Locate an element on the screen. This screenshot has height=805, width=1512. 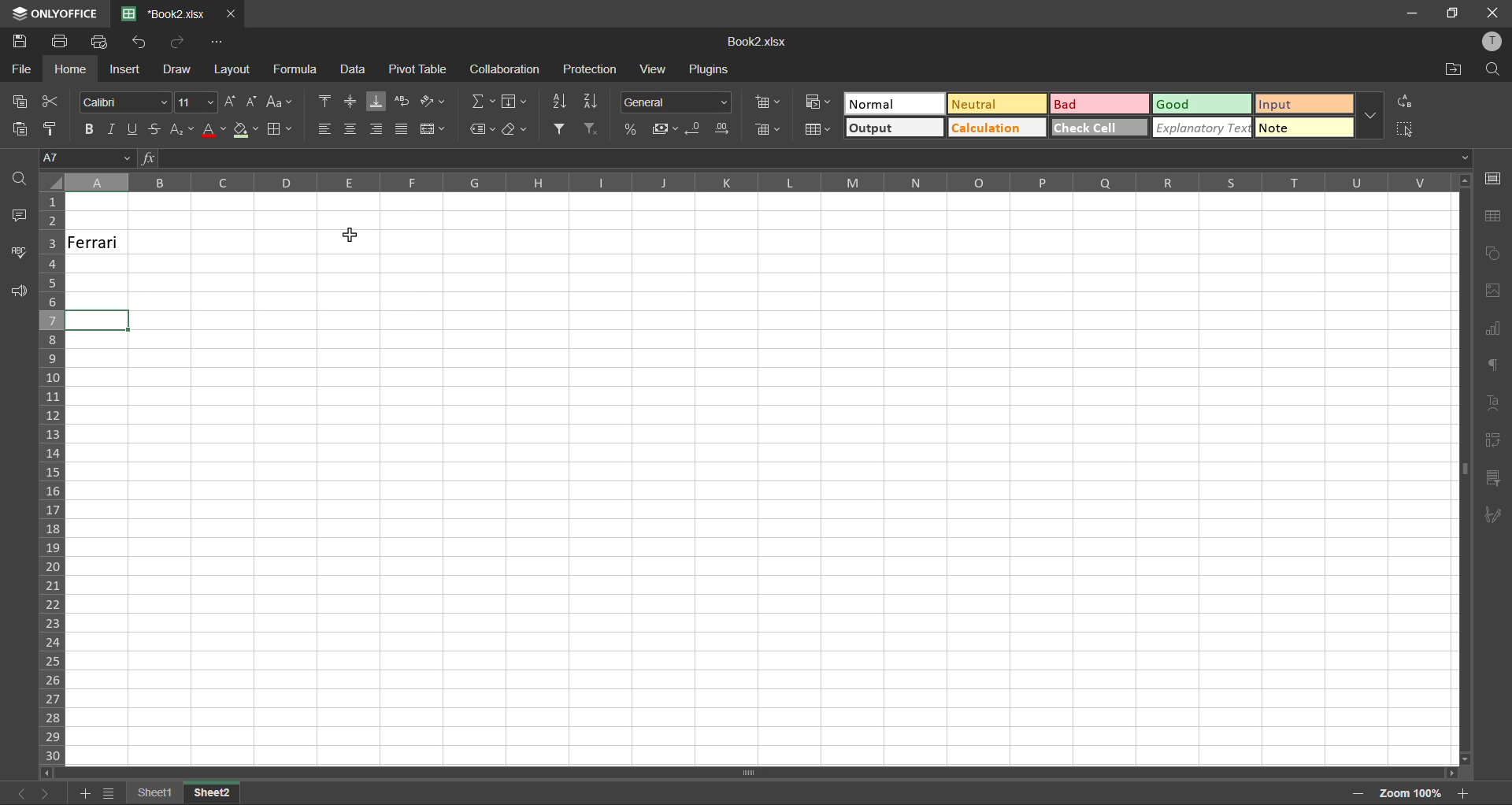
cut is located at coordinates (53, 101).